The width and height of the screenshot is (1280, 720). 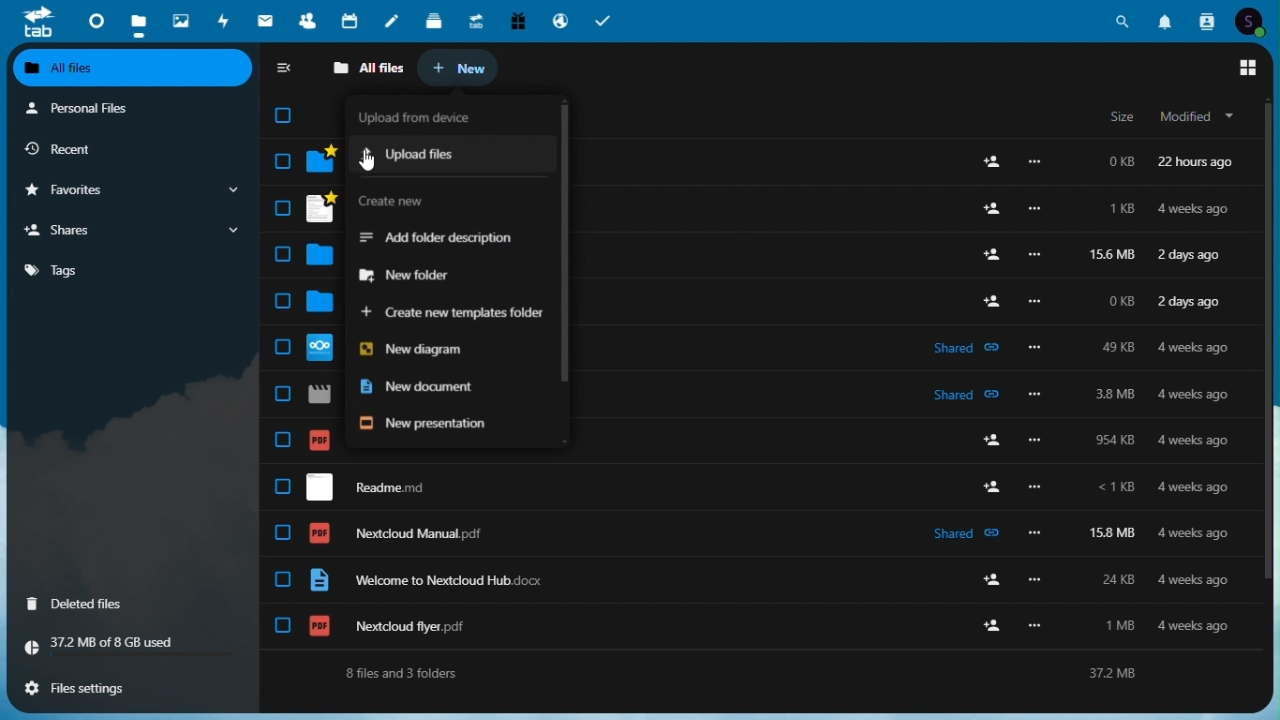 What do you see at coordinates (1113, 579) in the screenshot?
I see `24 kb` at bounding box center [1113, 579].